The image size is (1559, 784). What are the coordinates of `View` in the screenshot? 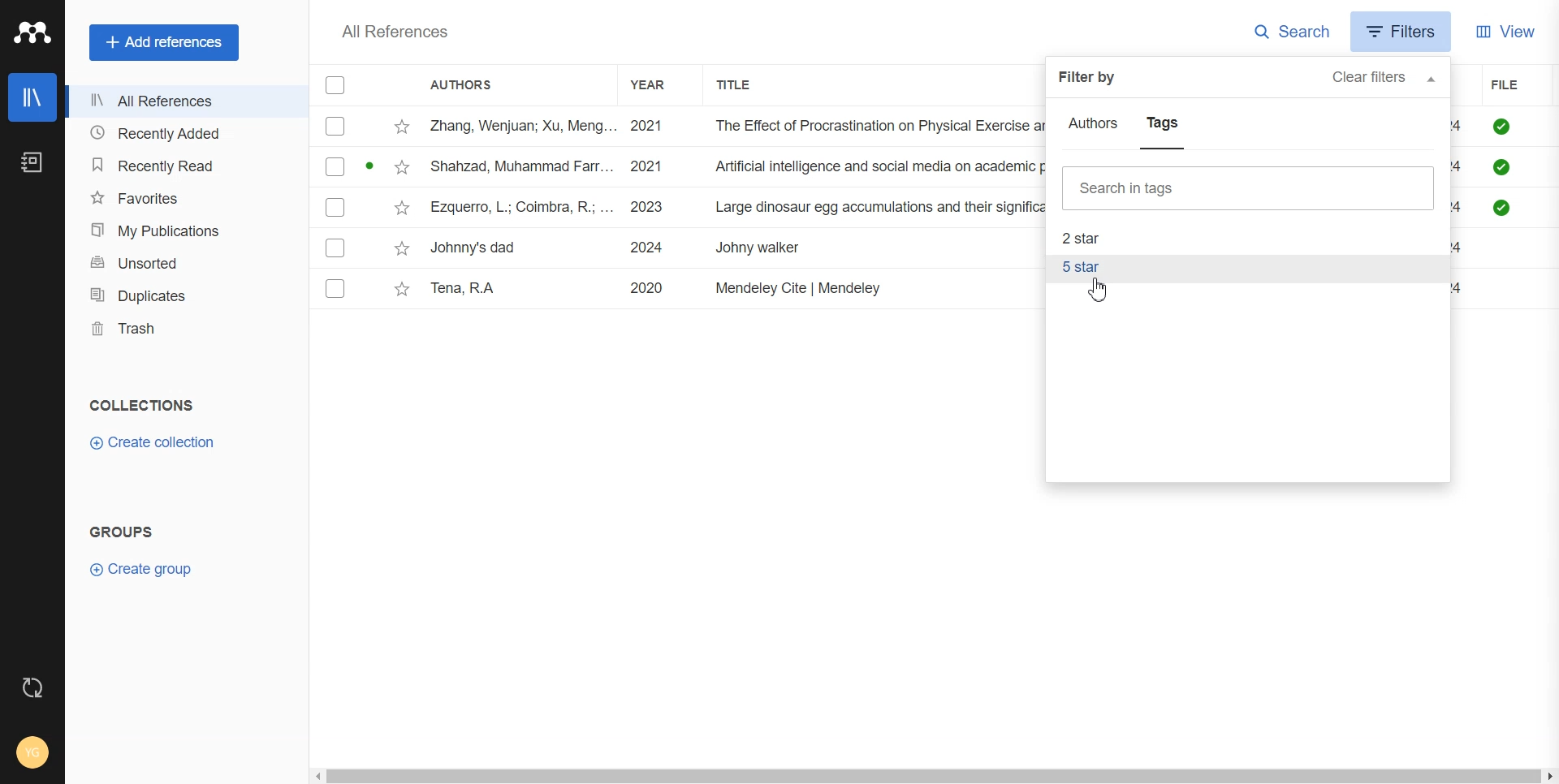 It's located at (1506, 32).